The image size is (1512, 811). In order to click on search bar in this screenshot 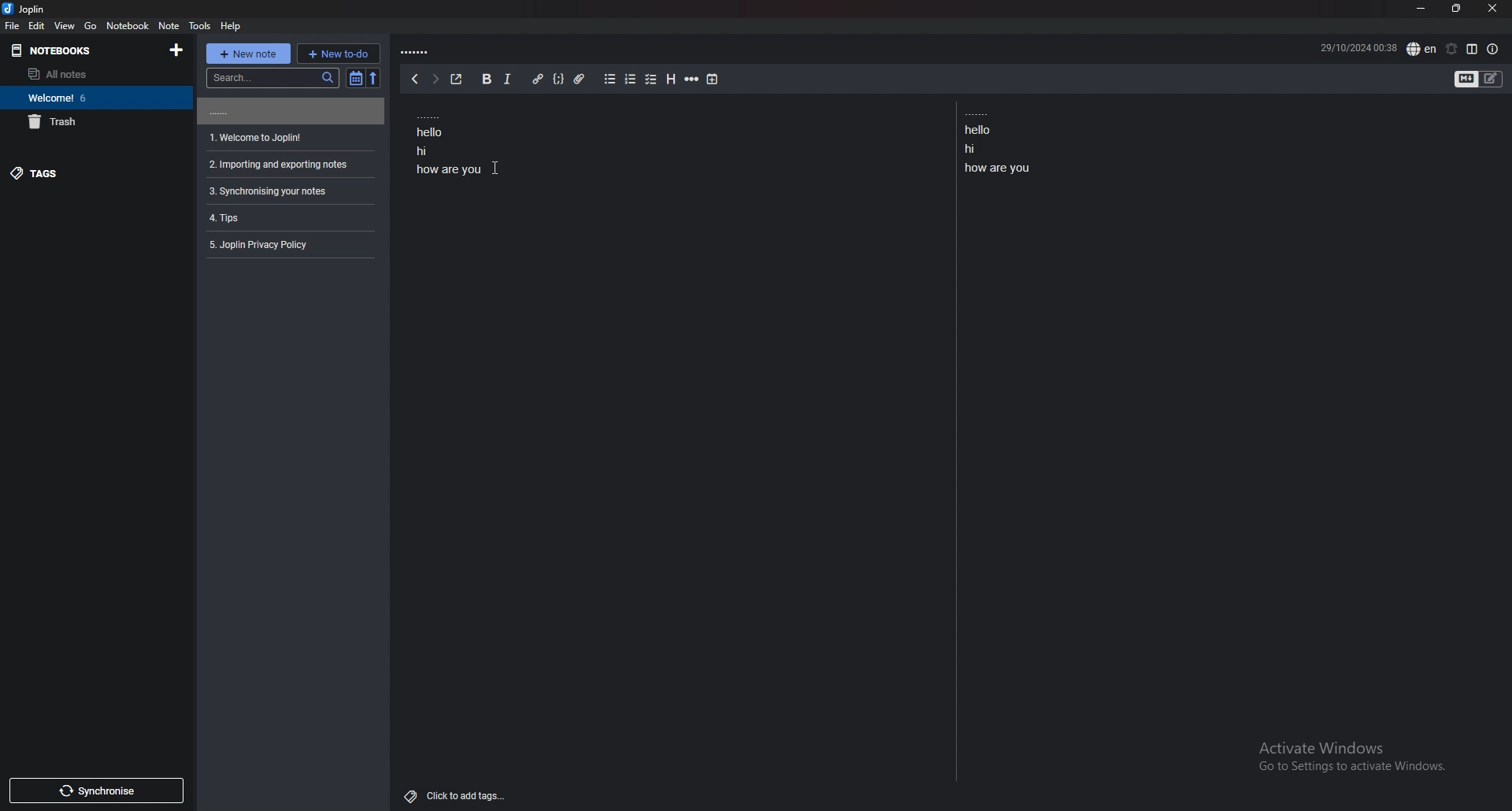, I will do `click(272, 77)`.